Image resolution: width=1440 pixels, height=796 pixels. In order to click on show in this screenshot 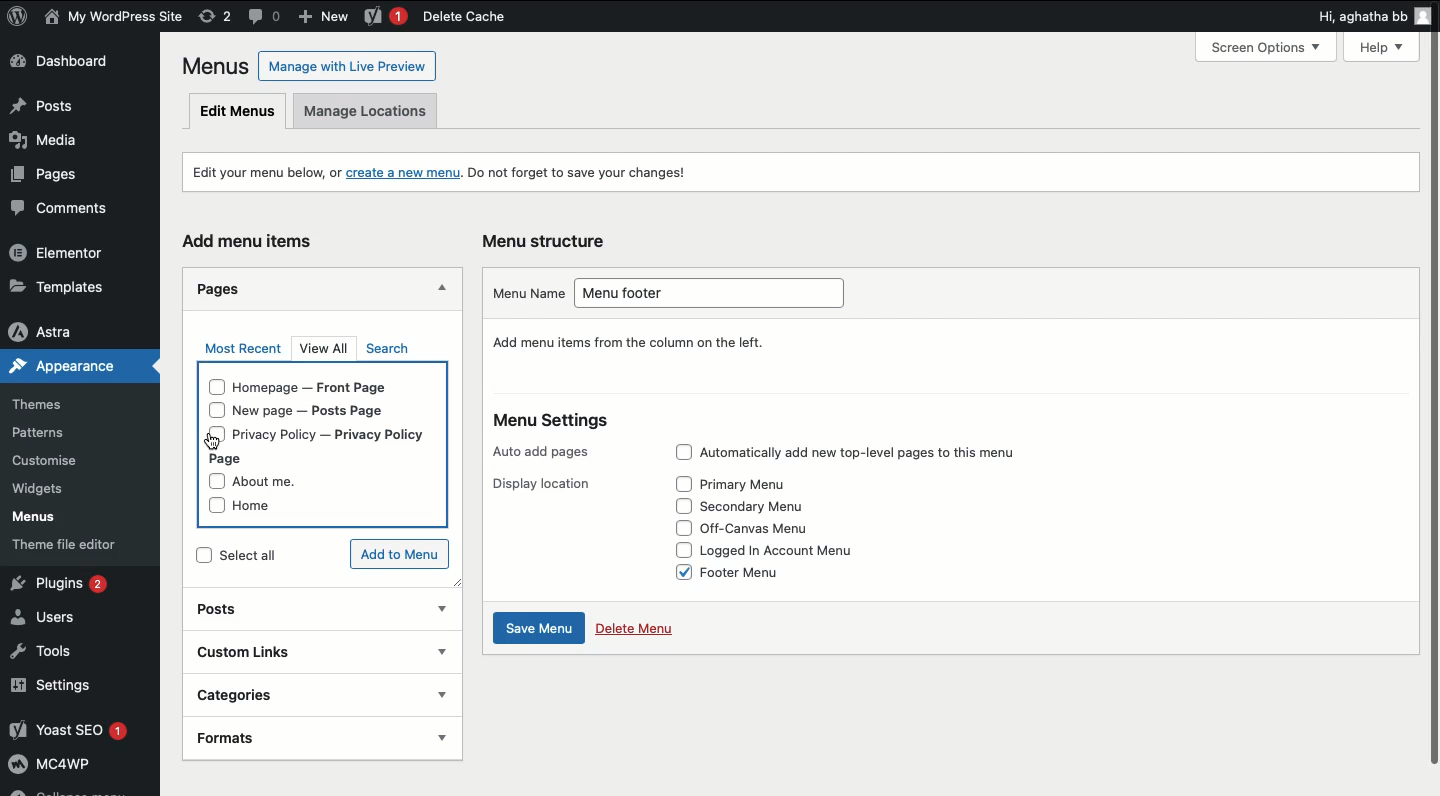, I will do `click(442, 610)`.